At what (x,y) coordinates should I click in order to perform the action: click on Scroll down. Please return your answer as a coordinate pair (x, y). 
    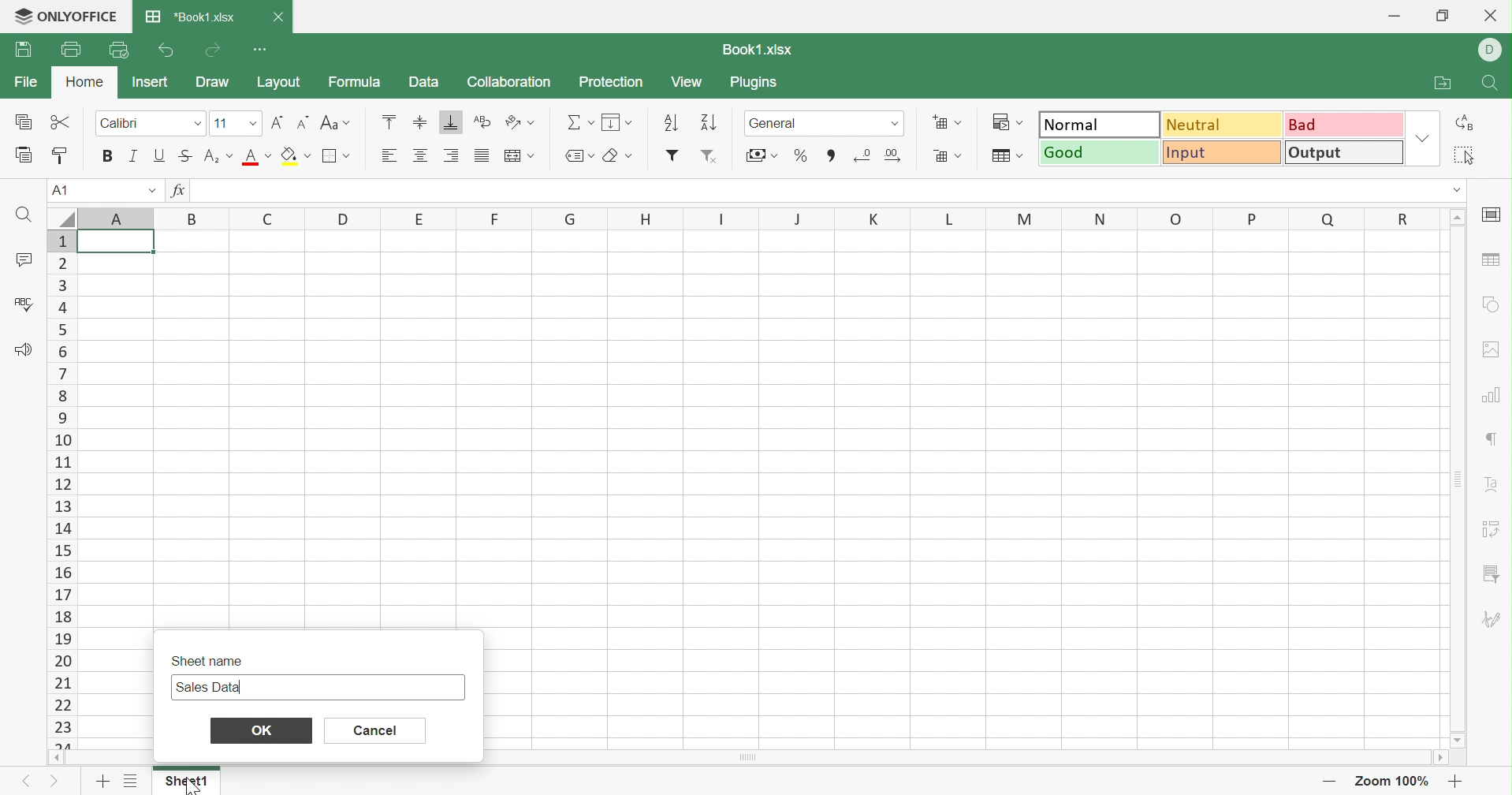
    Looking at the image, I should click on (1460, 741).